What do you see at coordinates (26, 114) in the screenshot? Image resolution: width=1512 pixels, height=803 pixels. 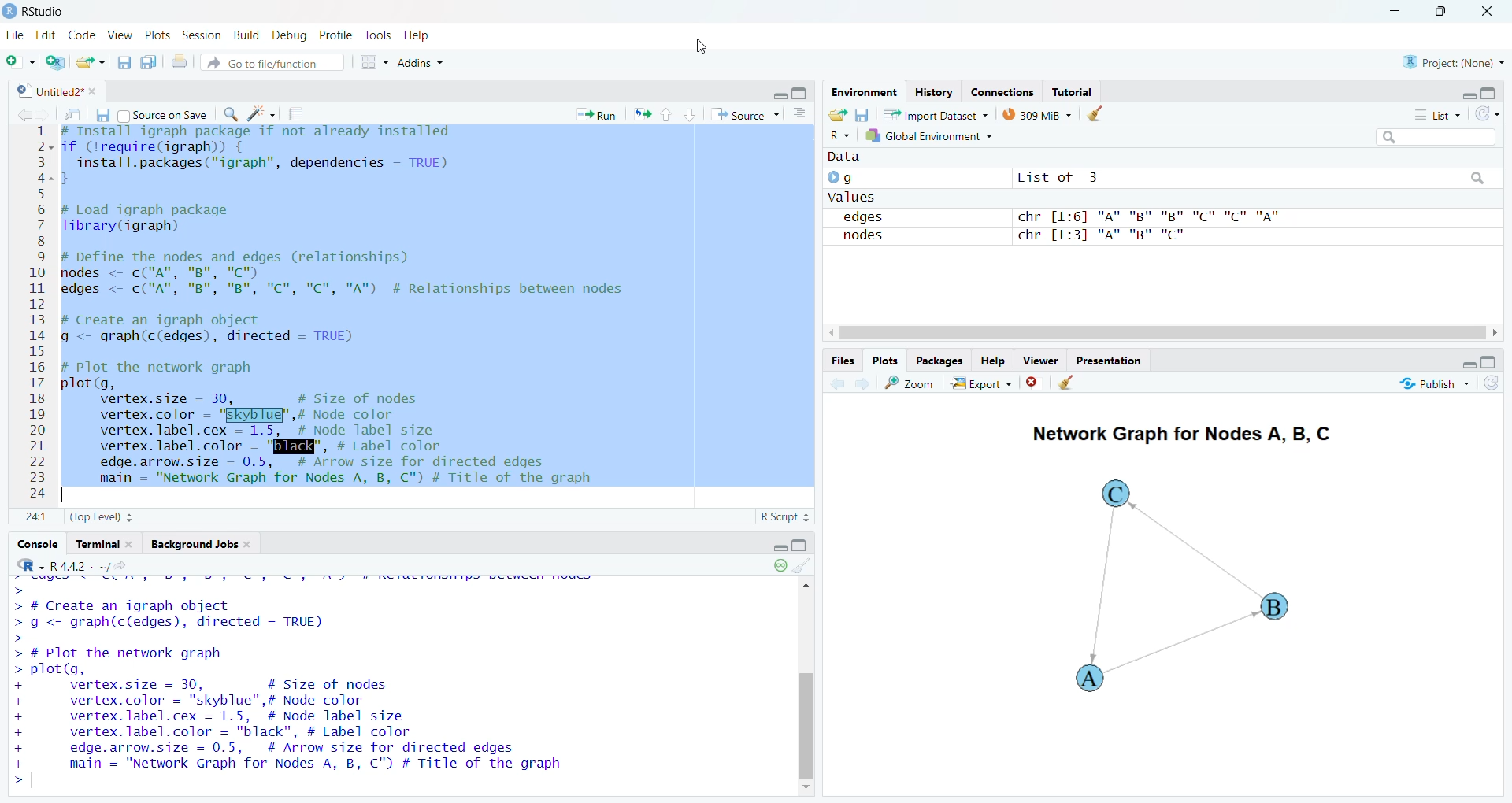 I see `back` at bounding box center [26, 114].